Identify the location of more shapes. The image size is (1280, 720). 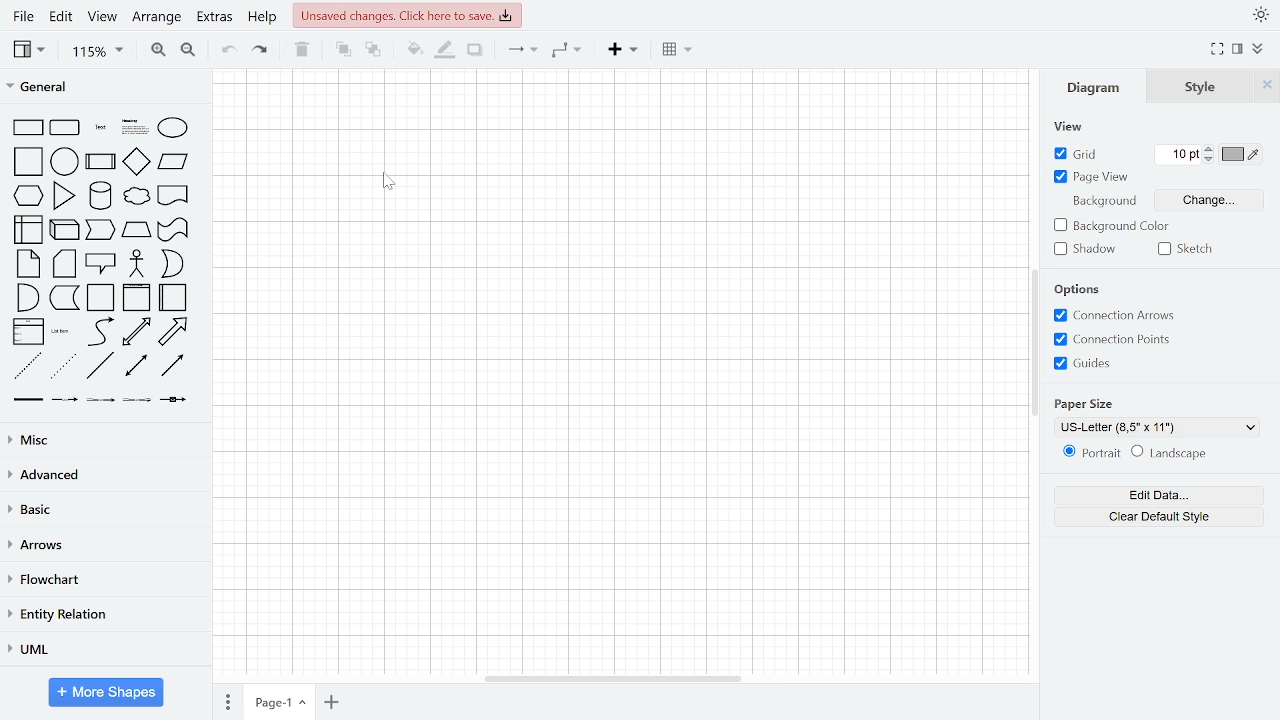
(104, 694).